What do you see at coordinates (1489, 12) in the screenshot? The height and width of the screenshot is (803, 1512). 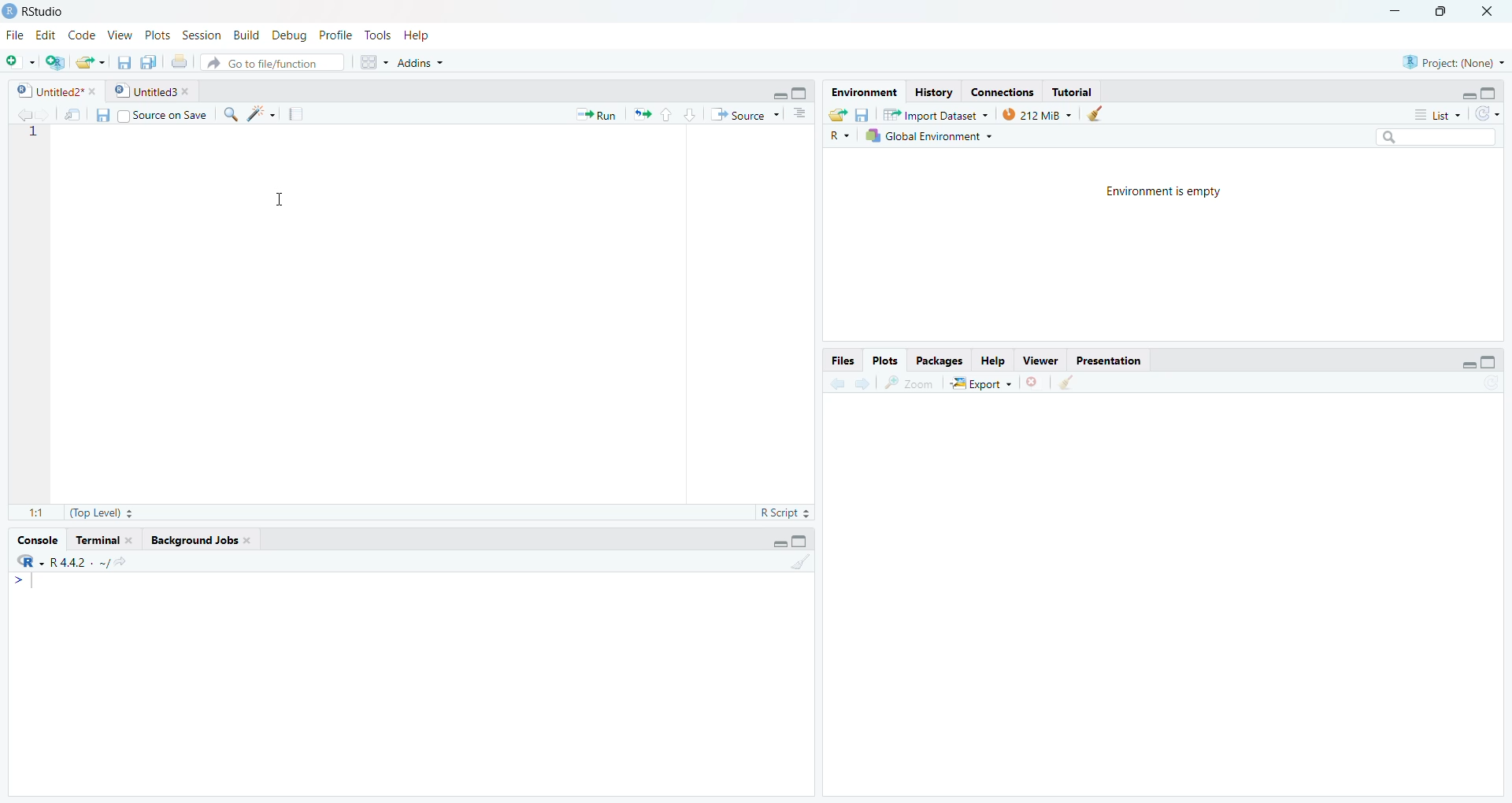 I see `close` at bounding box center [1489, 12].